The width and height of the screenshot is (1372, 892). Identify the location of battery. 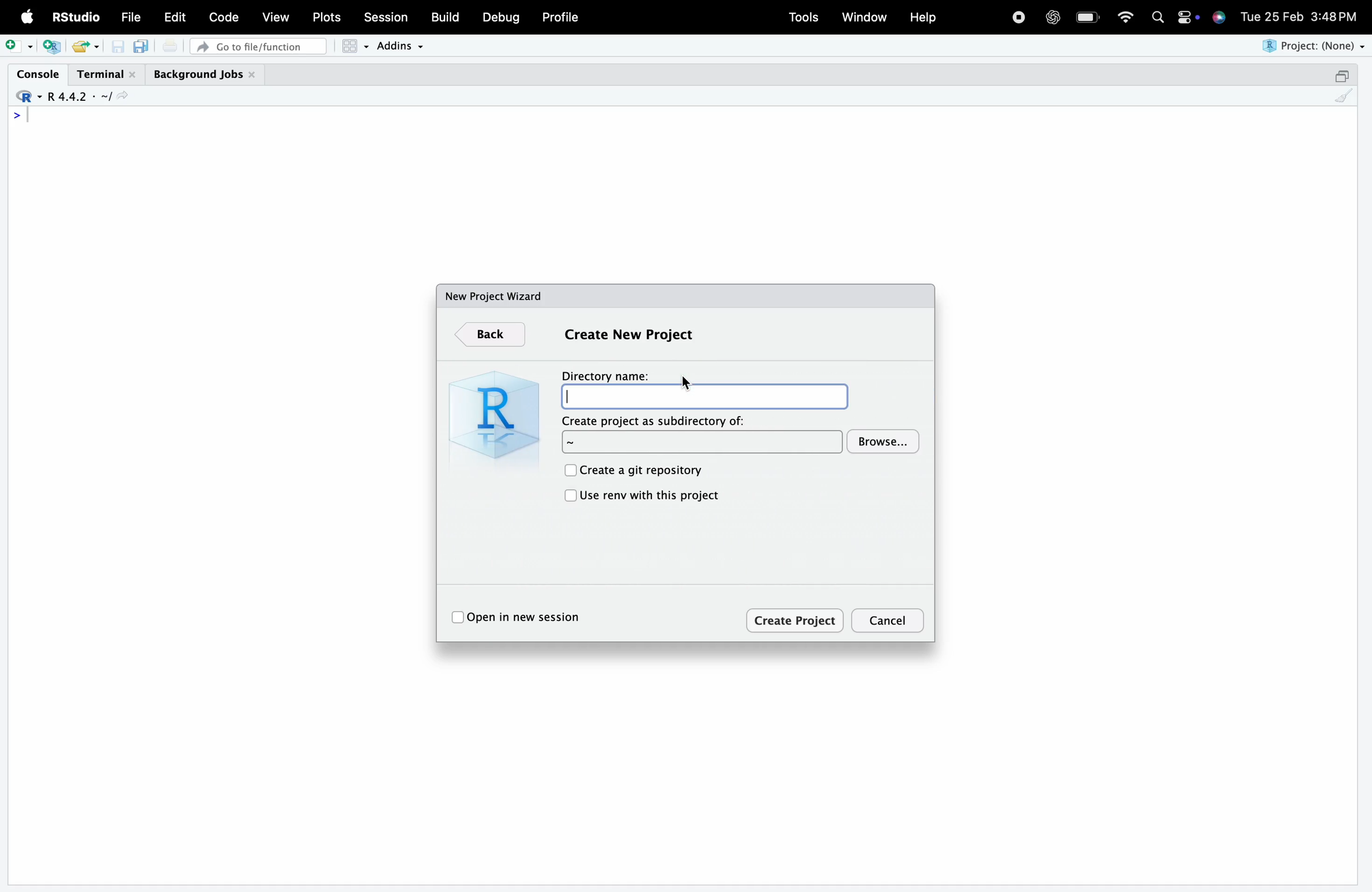
(1087, 17).